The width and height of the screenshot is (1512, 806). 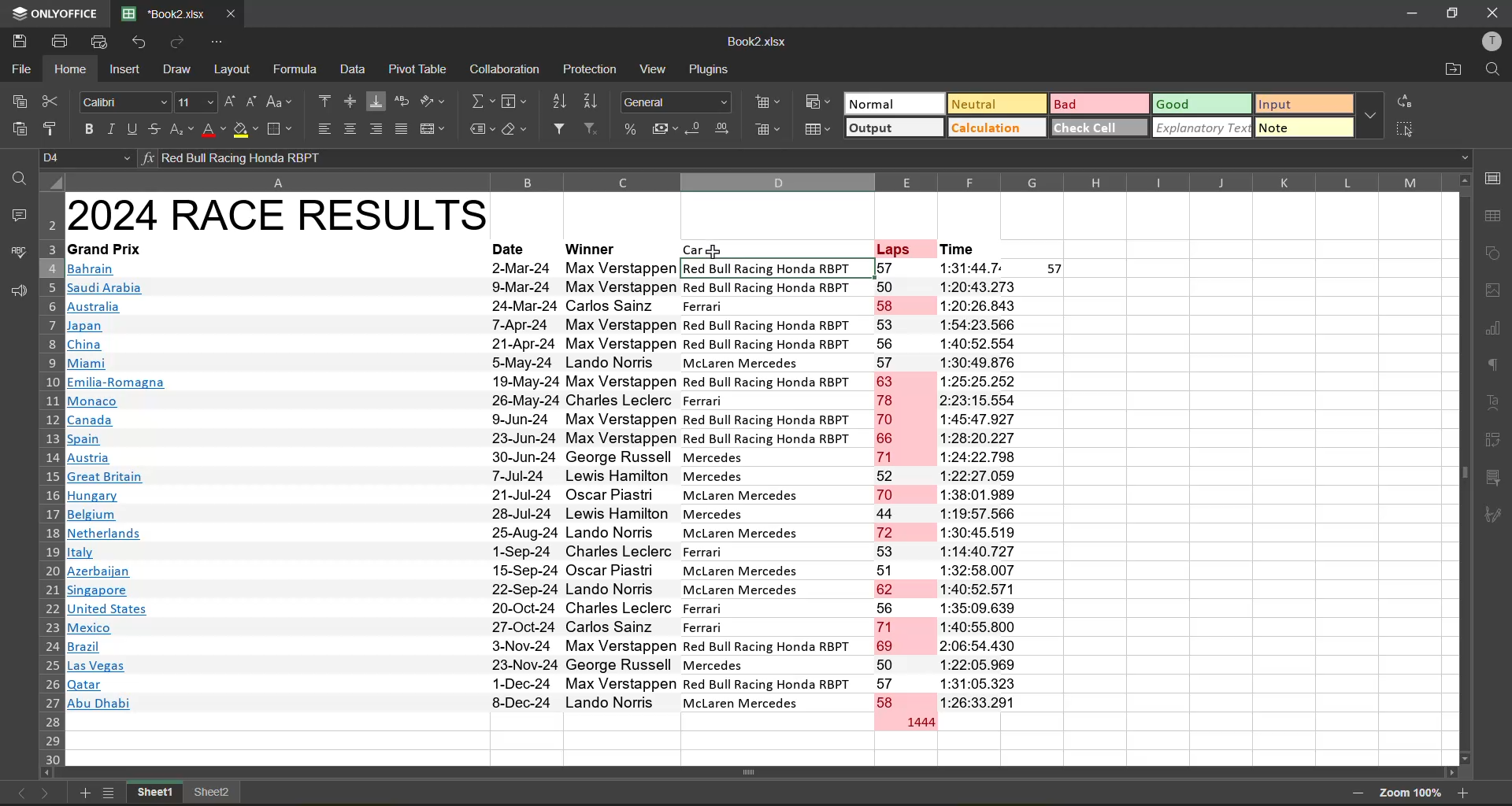 What do you see at coordinates (18, 98) in the screenshot?
I see `copy` at bounding box center [18, 98].